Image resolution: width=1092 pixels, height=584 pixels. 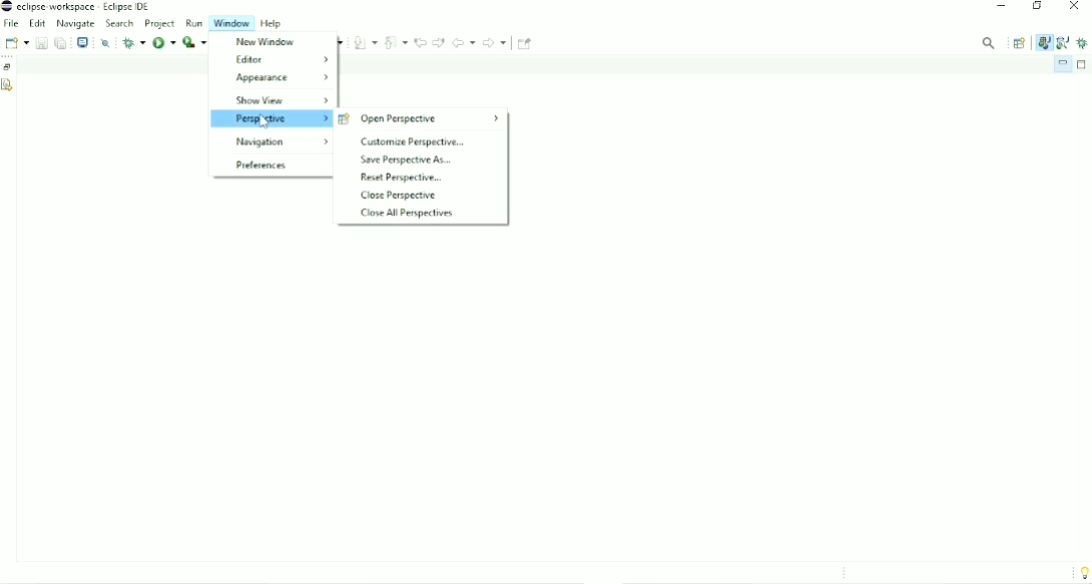 I want to click on Forward , so click(x=496, y=42).